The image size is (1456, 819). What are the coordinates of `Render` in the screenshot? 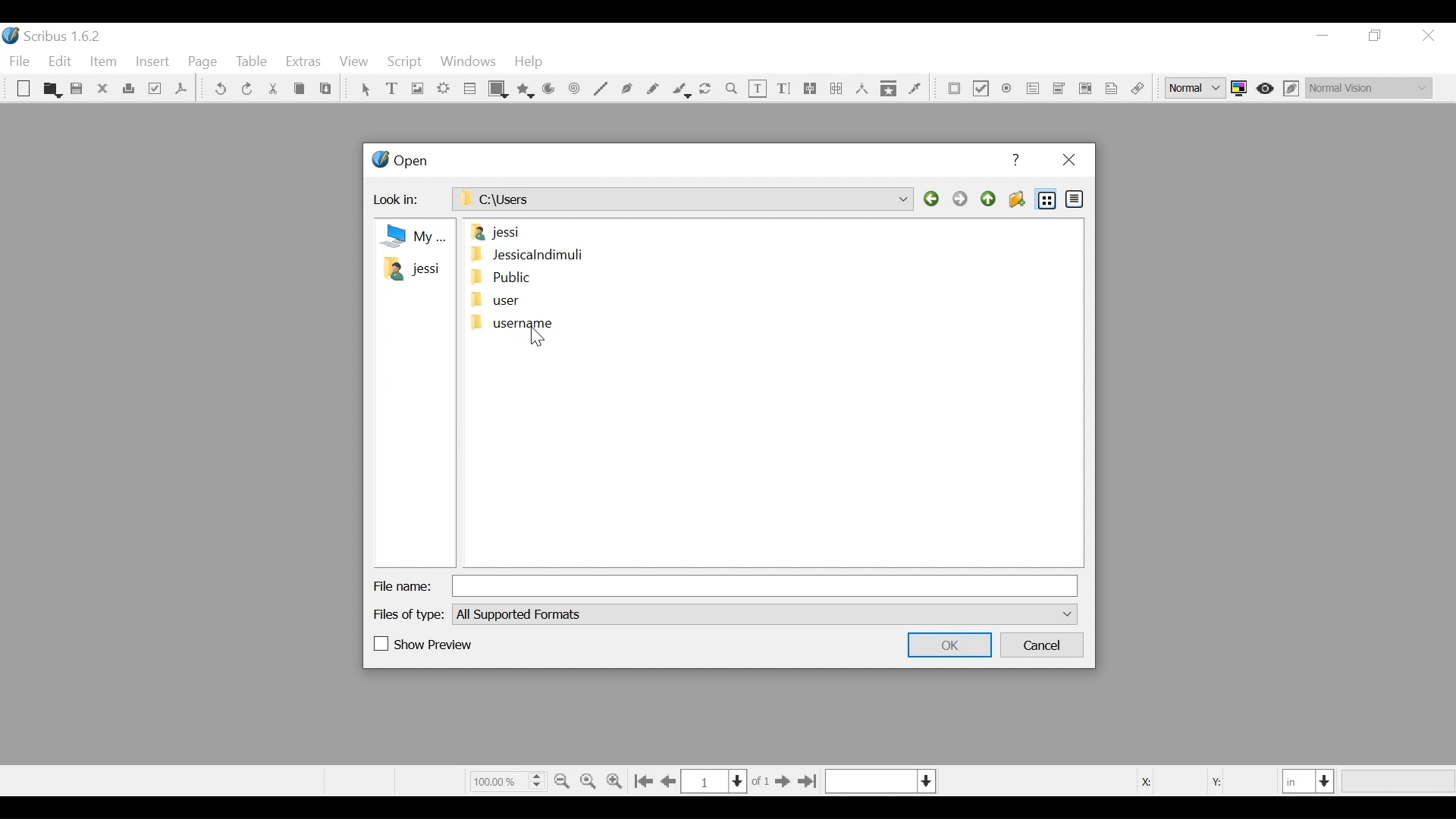 It's located at (444, 90).